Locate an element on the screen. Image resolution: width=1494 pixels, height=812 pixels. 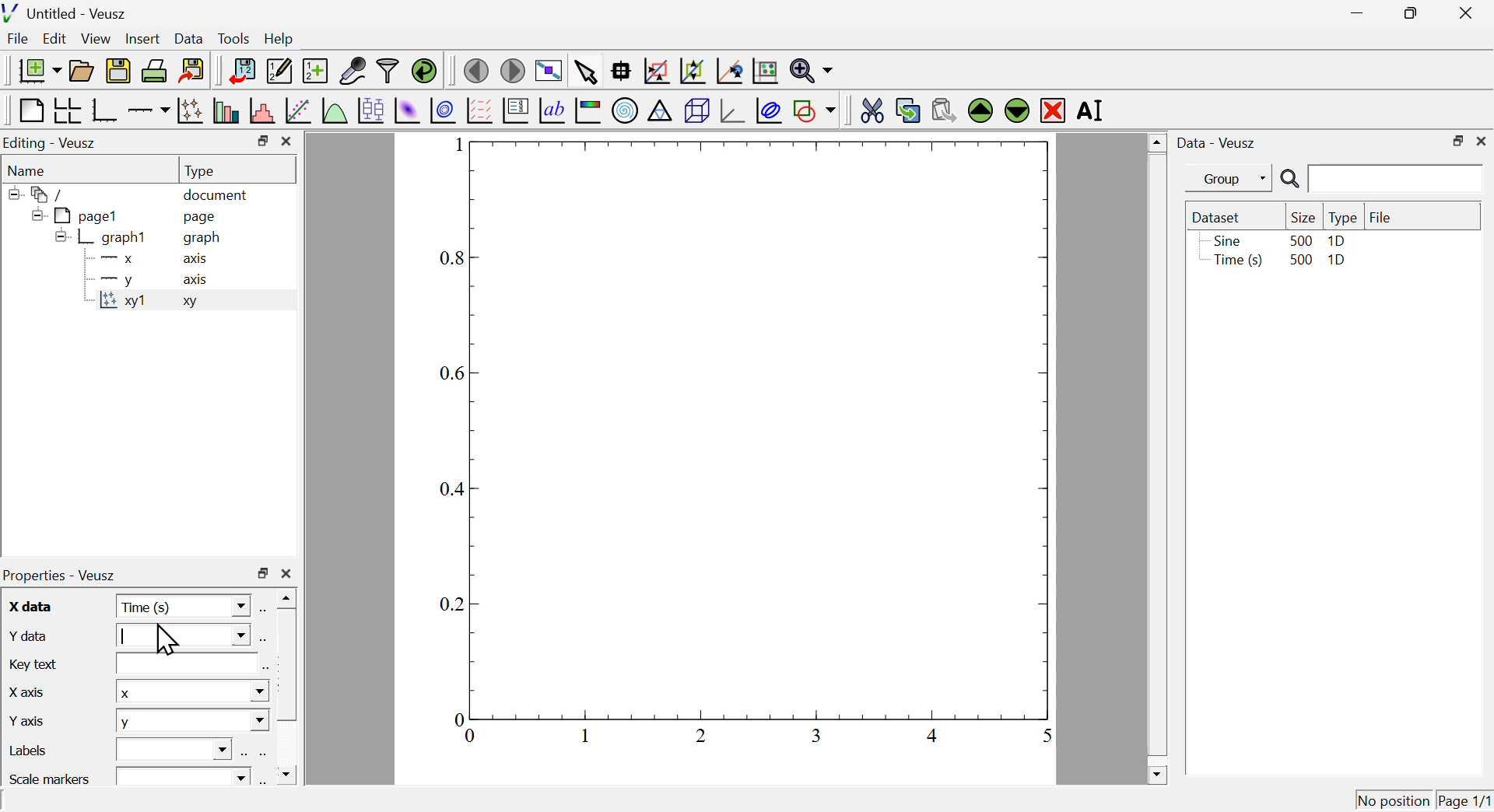
500 is located at coordinates (1300, 240).